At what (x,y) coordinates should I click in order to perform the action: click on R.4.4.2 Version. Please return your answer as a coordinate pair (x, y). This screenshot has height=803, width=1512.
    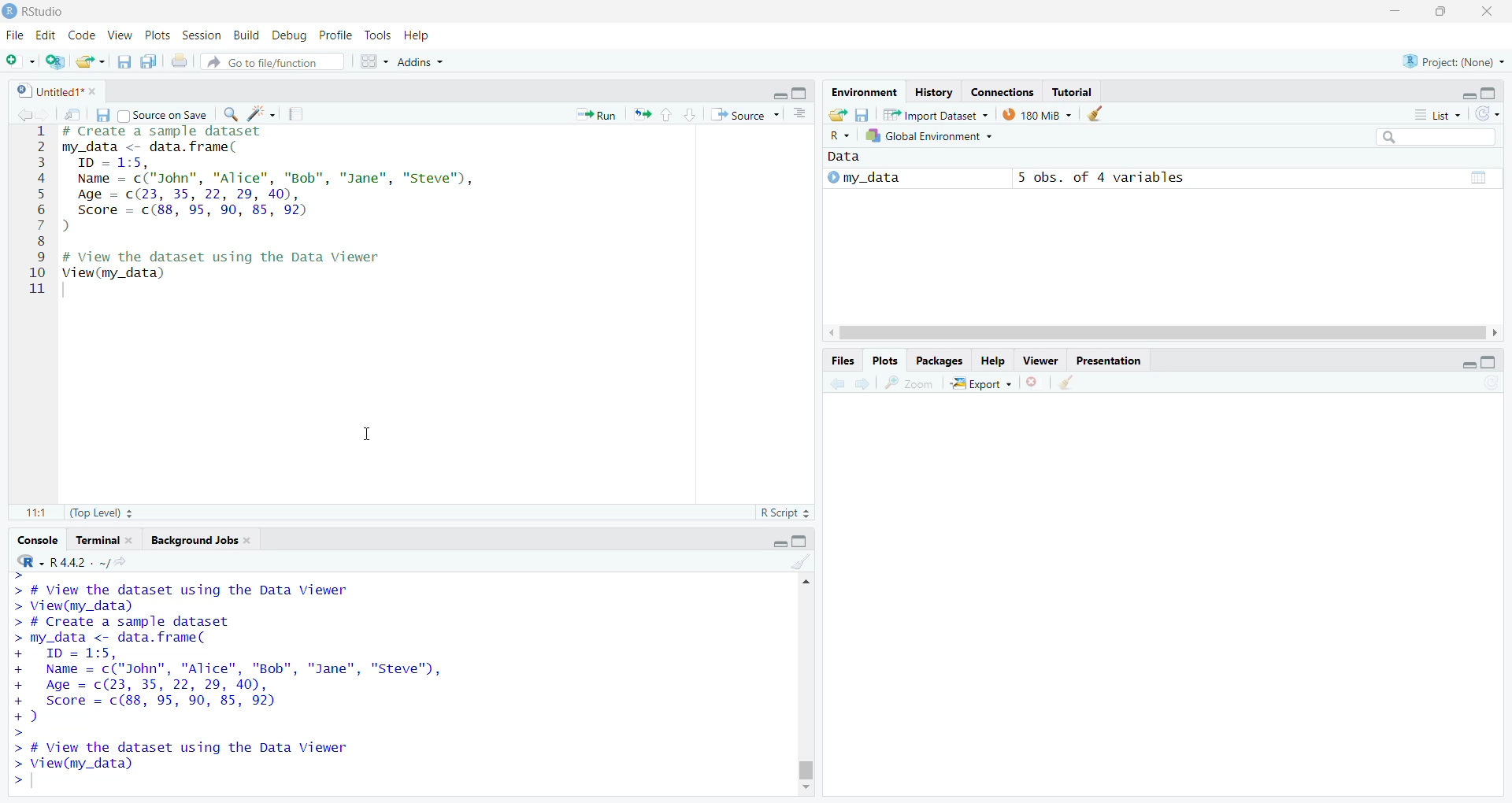
    Looking at the image, I should click on (75, 561).